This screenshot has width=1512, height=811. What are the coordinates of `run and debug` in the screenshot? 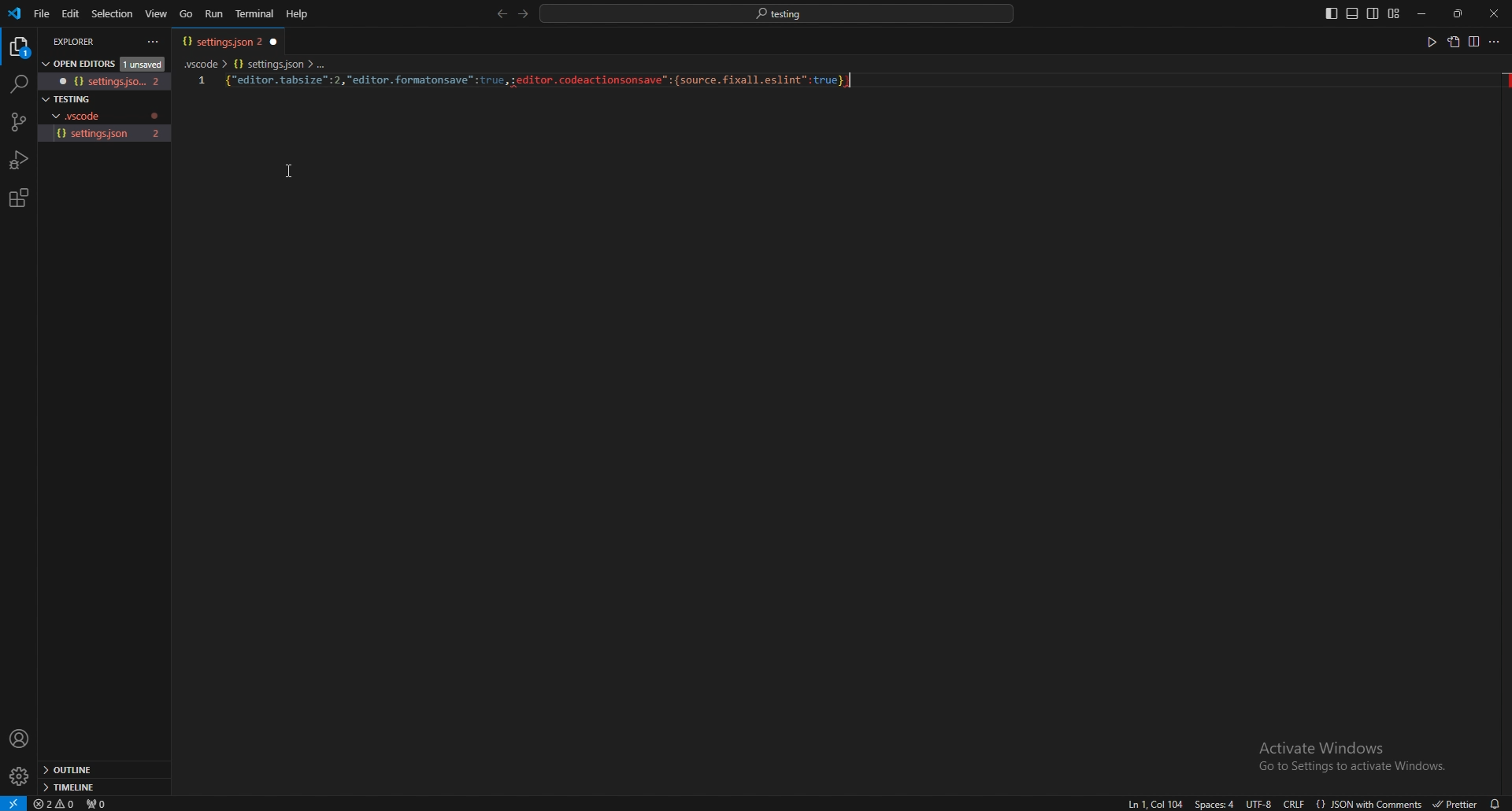 It's located at (20, 160).